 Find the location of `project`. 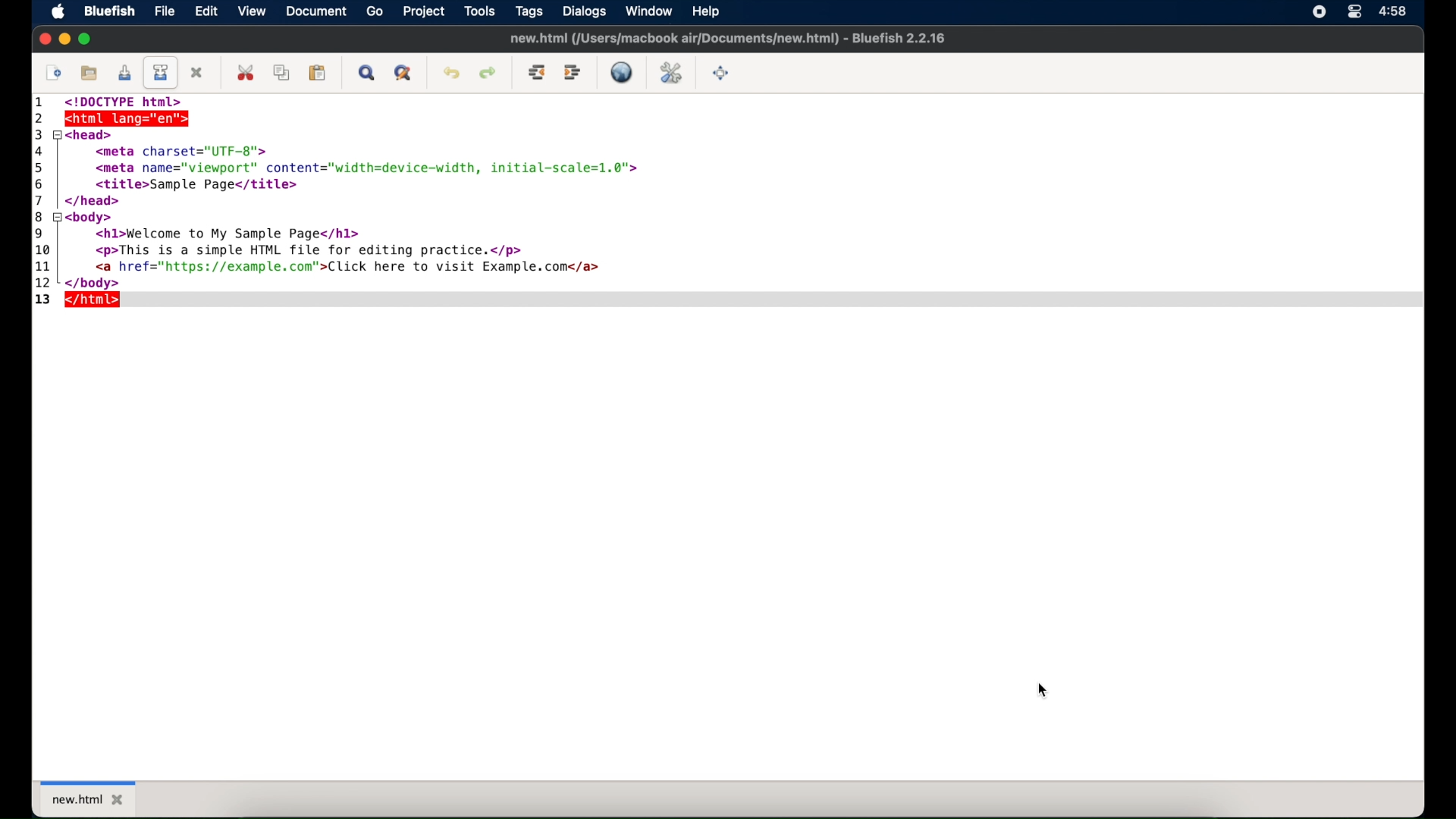

project is located at coordinates (425, 12).